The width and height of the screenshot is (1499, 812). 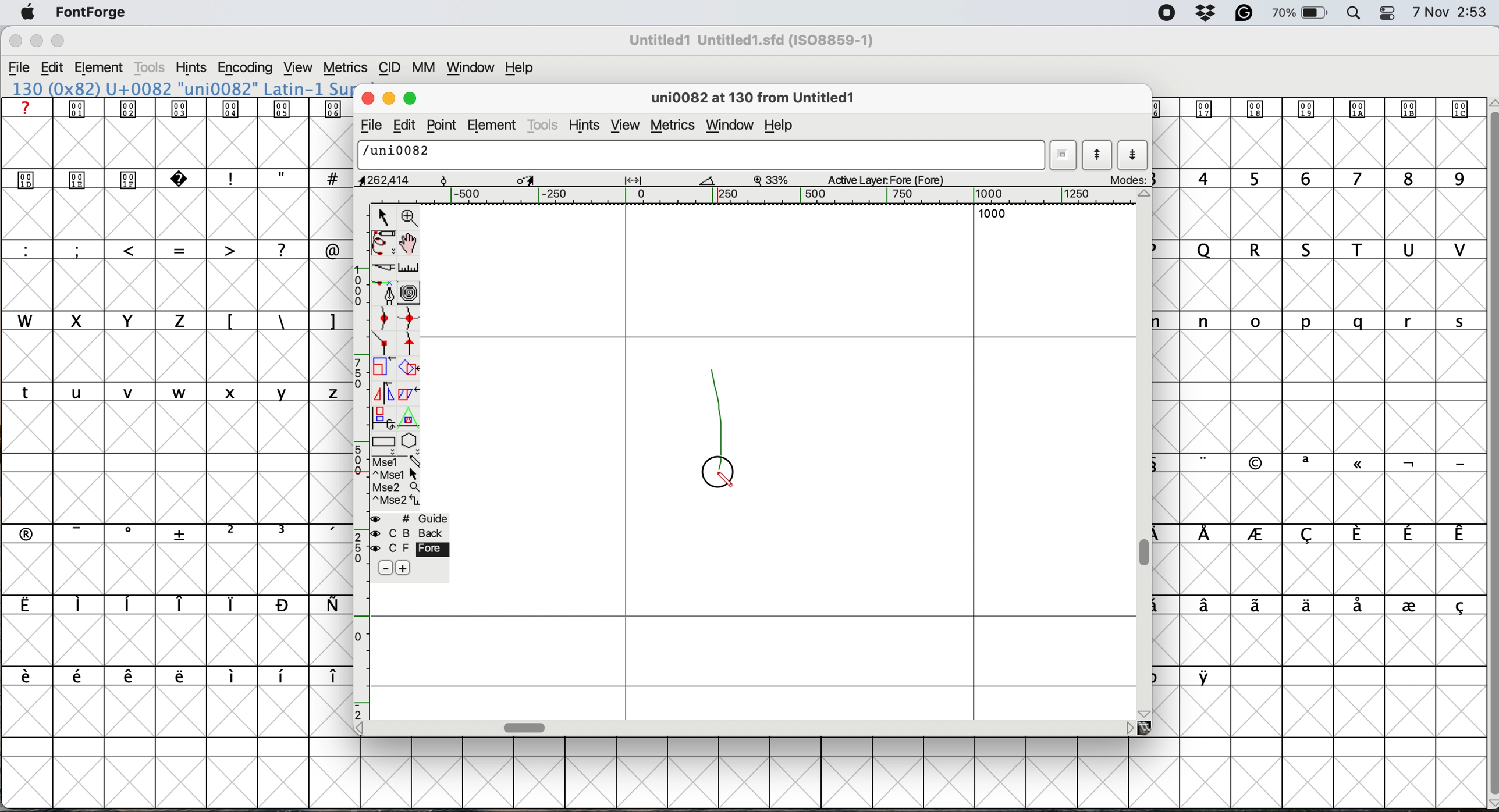 I want to click on change whether spiro is active or not, so click(x=413, y=294).